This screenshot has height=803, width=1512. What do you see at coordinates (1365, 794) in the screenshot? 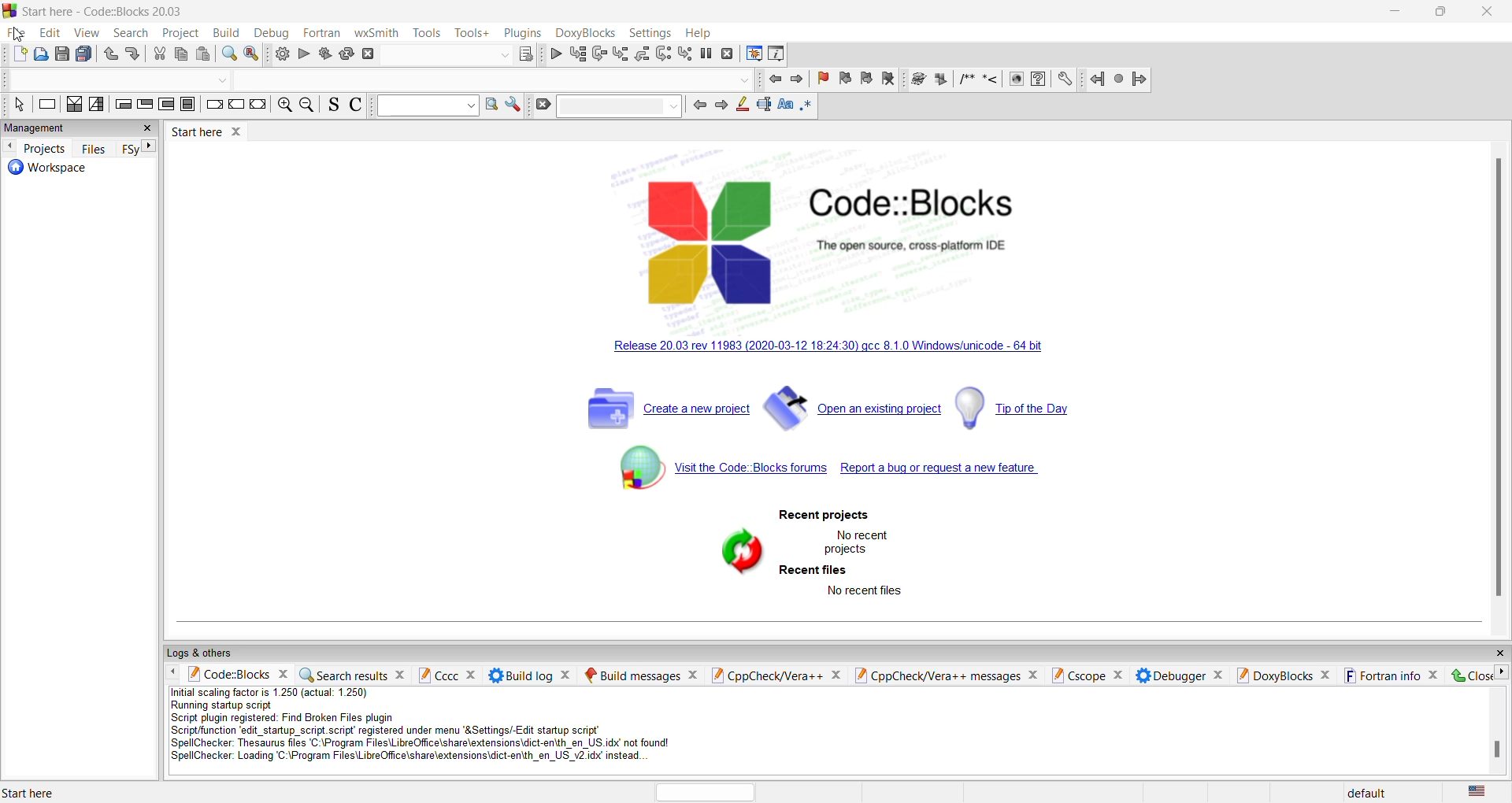
I see `default` at bounding box center [1365, 794].